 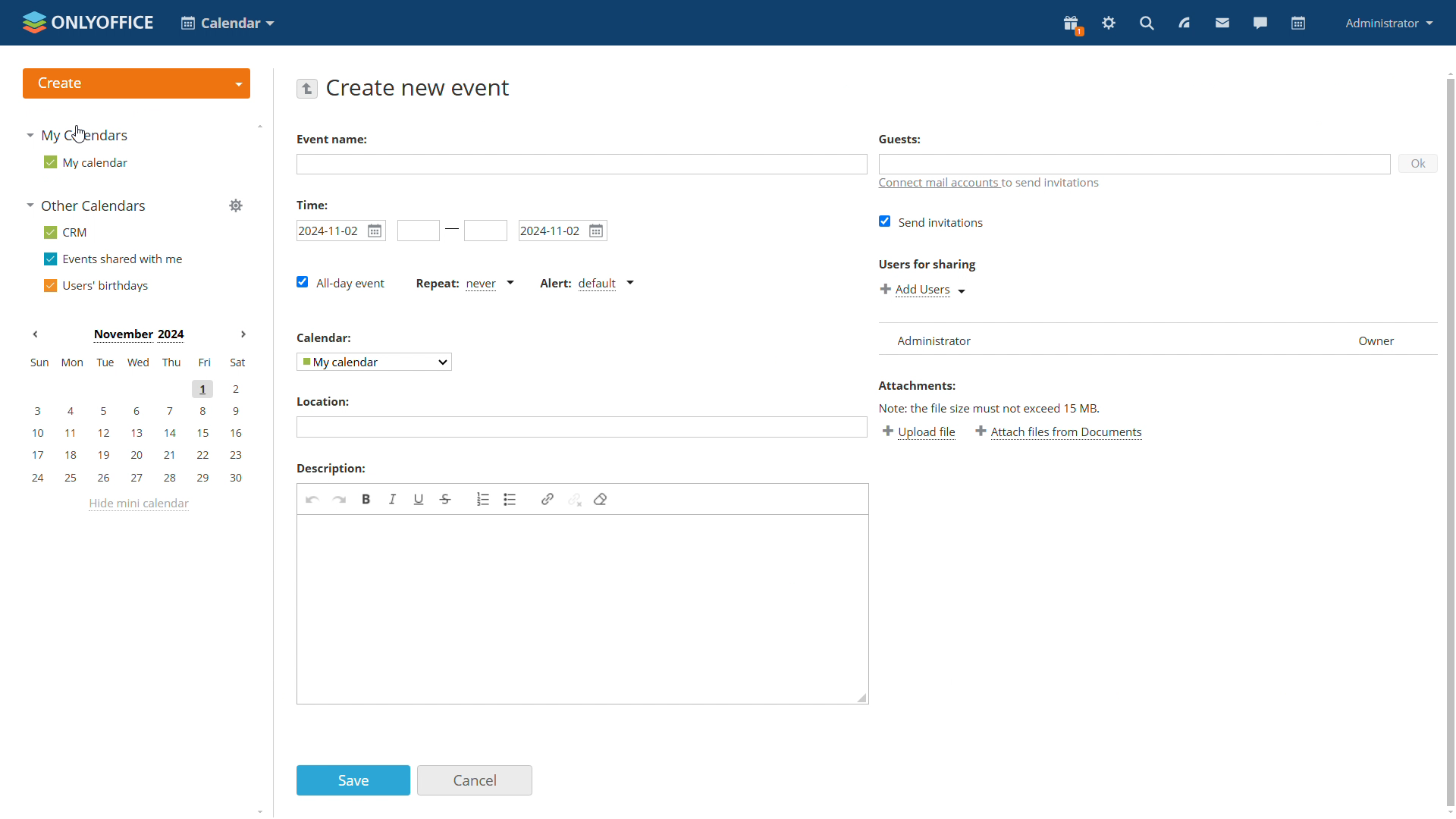 I want to click on redo, so click(x=340, y=499).